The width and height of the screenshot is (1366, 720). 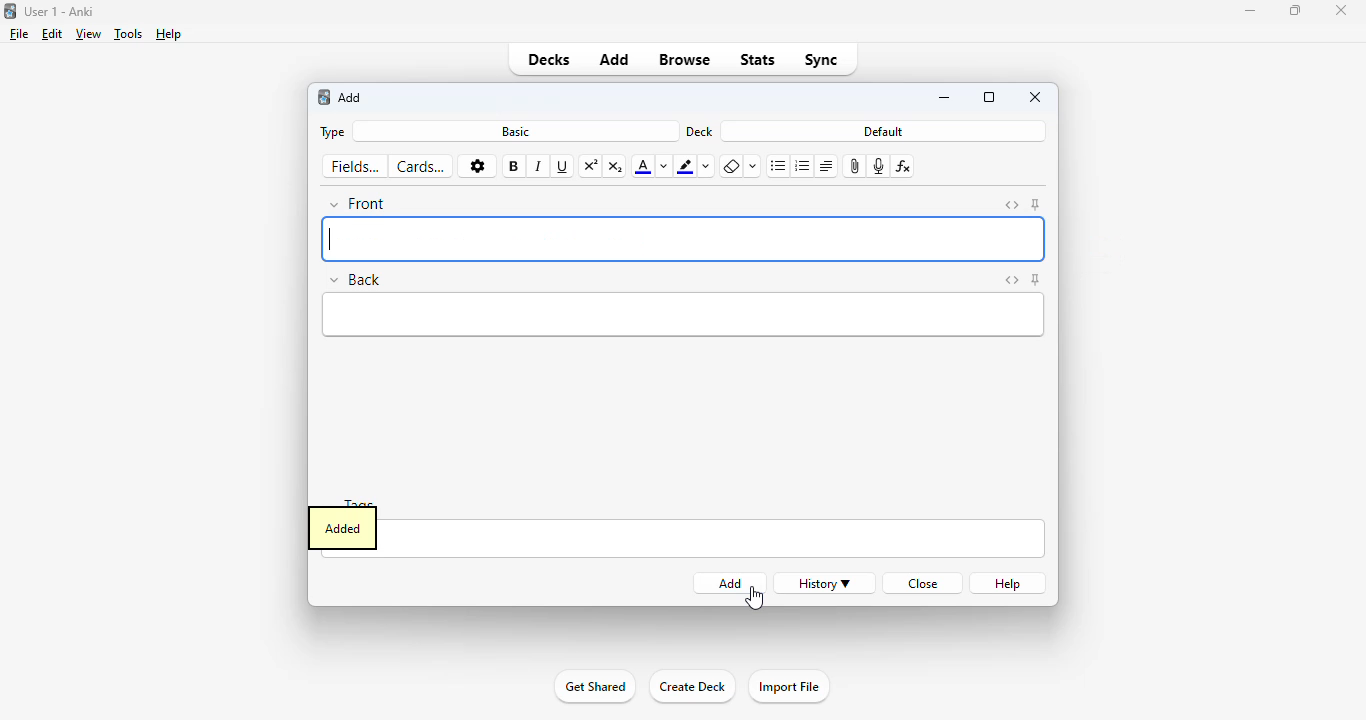 What do you see at coordinates (824, 583) in the screenshot?
I see `history` at bounding box center [824, 583].